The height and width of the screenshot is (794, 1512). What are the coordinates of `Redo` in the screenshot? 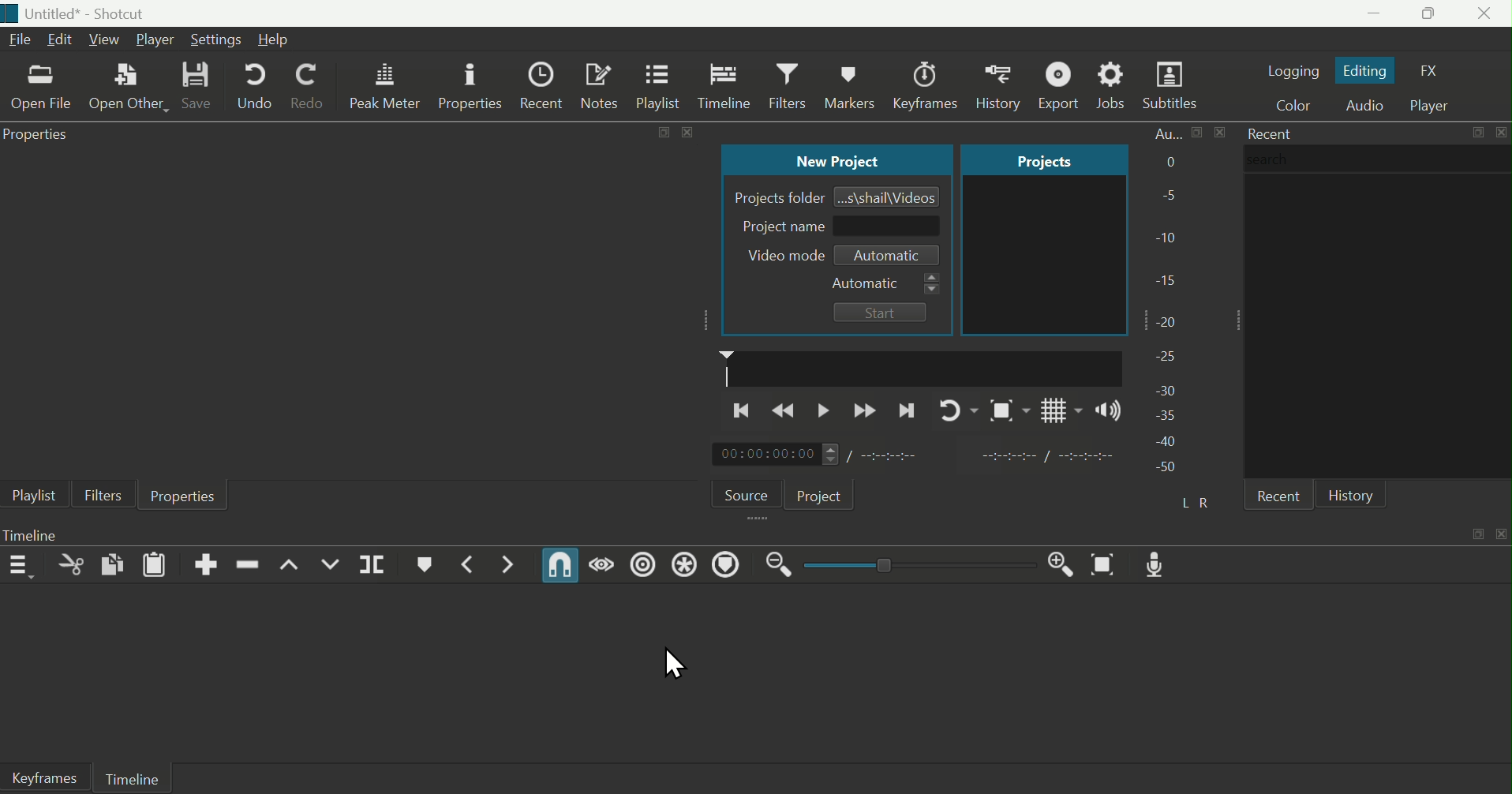 It's located at (313, 89).